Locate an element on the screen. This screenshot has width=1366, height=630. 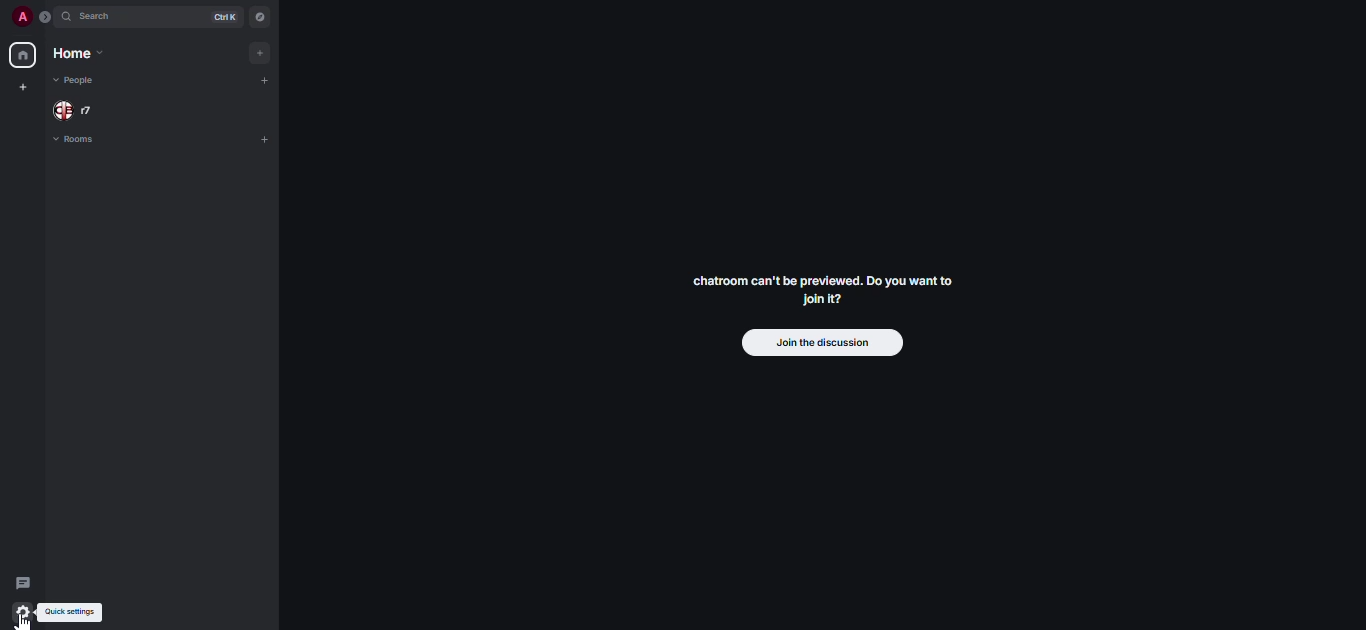
quick settings is located at coordinates (24, 613).